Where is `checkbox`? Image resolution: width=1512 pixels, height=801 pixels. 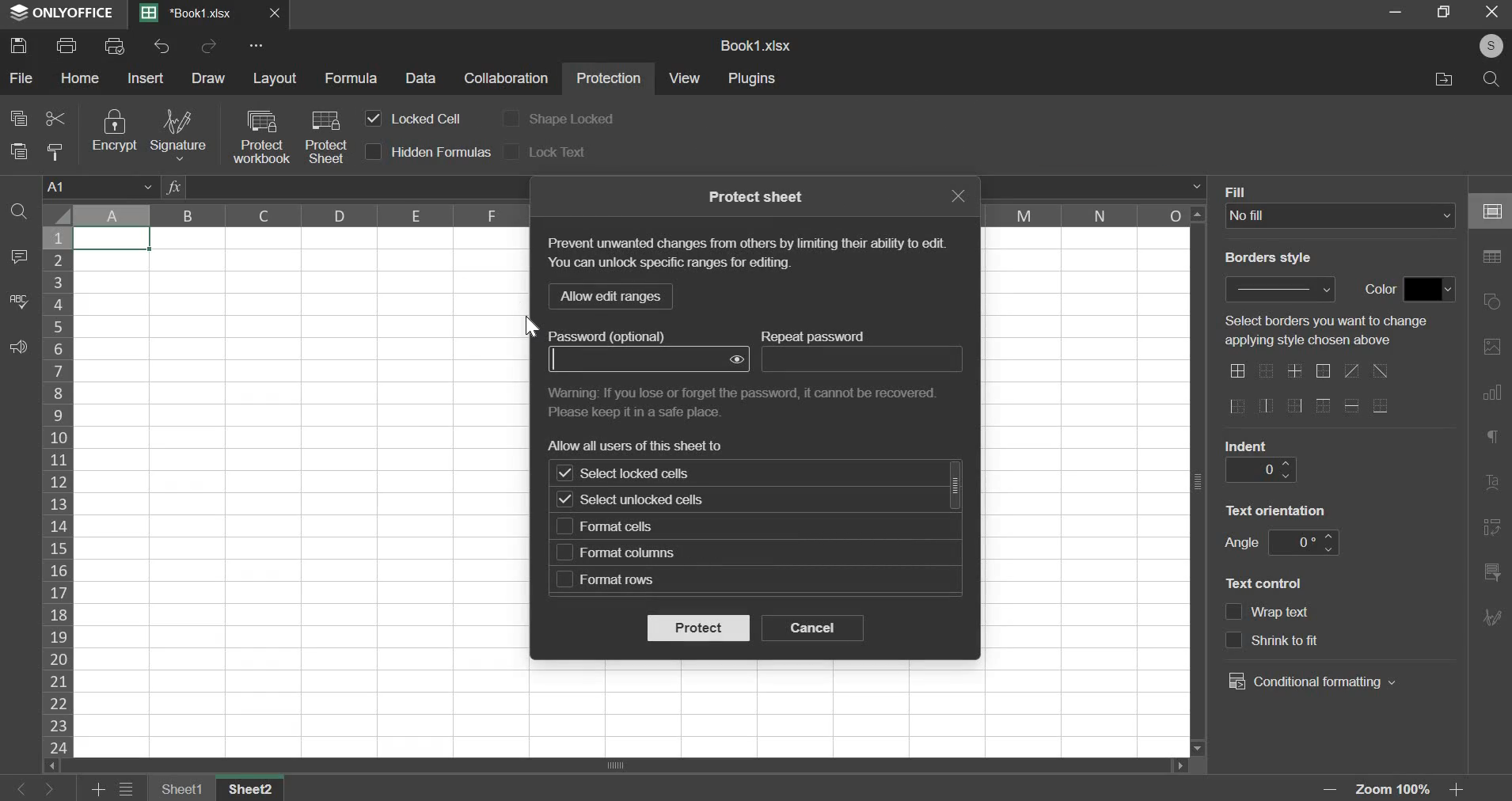
checkbox is located at coordinates (1233, 640).